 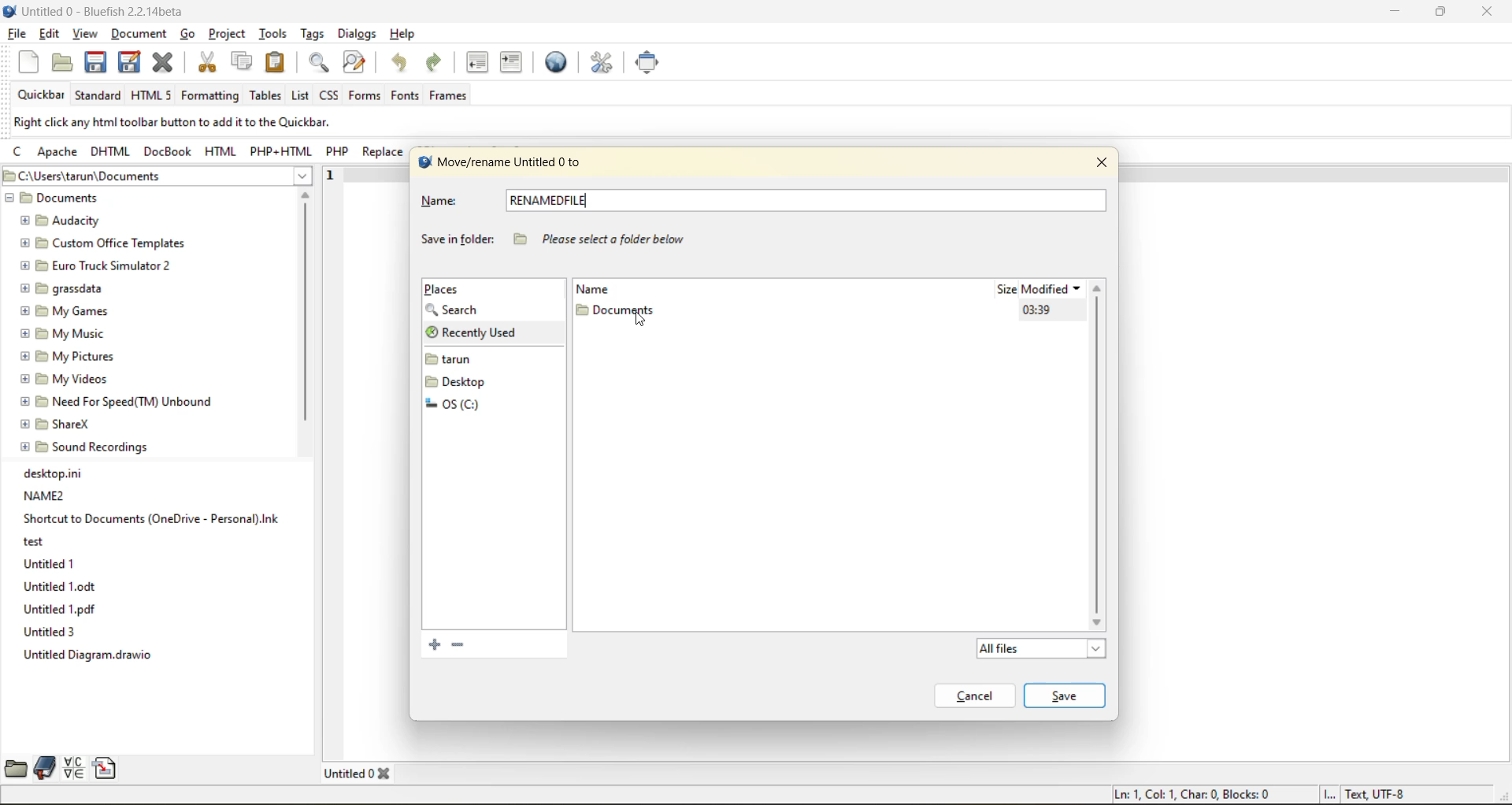 I want to click on ShareX, so click(x=56, y=423).